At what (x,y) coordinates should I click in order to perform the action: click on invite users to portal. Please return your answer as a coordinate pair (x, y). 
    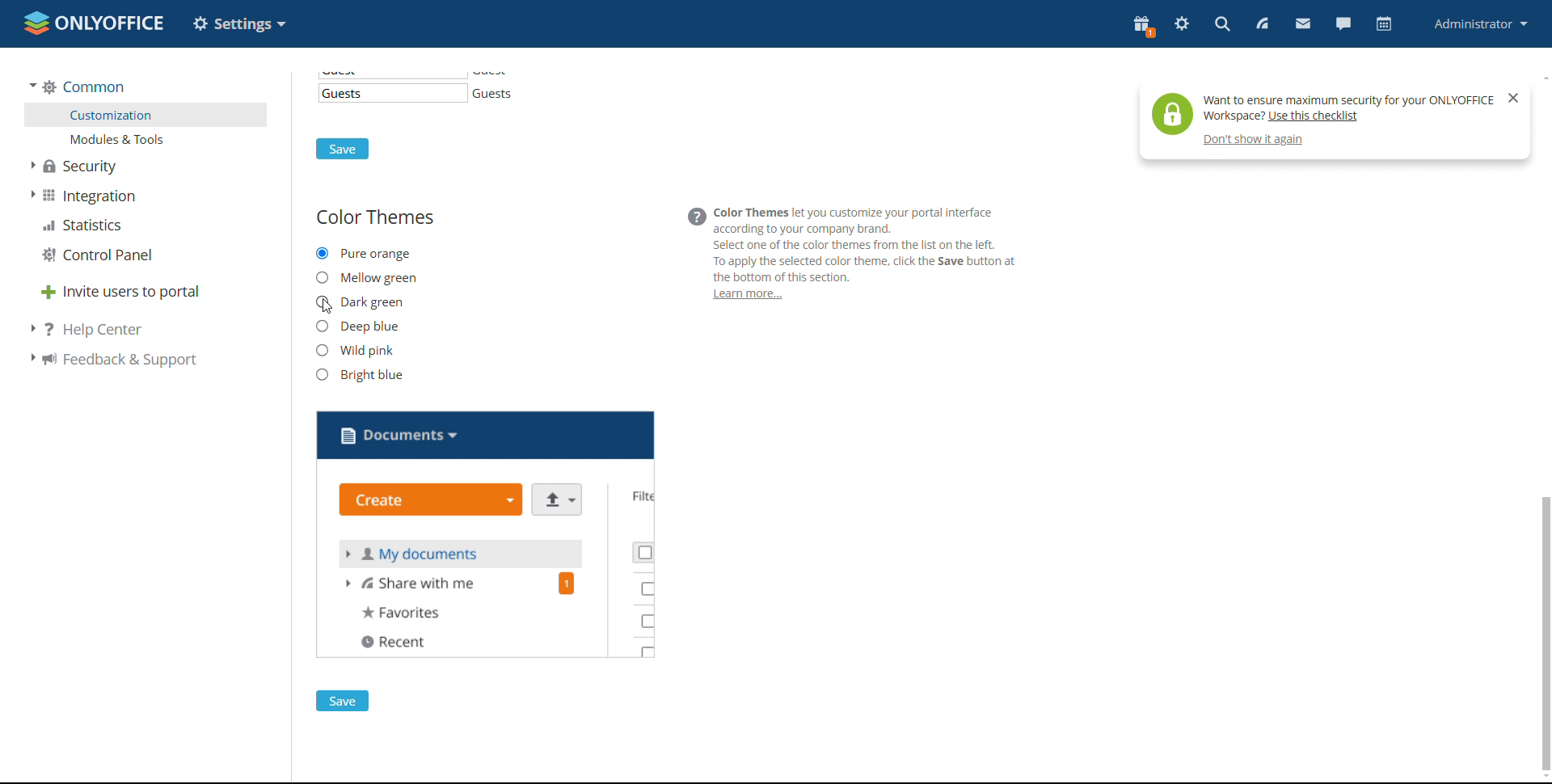
    Looking at the image, I should click on (120, 290).